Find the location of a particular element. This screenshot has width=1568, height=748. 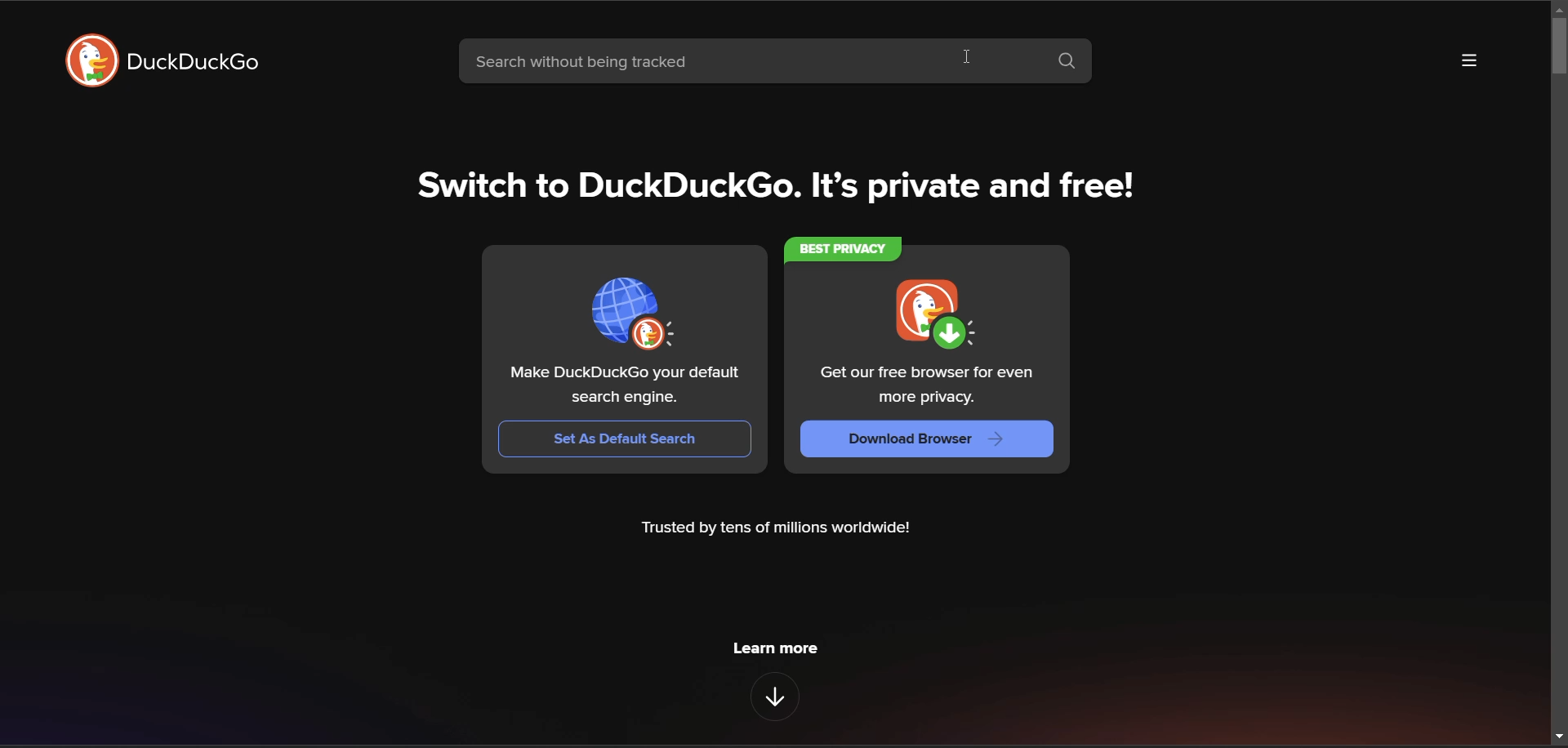

Get our free browser for even more privacy. is located at coordinates (929, 385).